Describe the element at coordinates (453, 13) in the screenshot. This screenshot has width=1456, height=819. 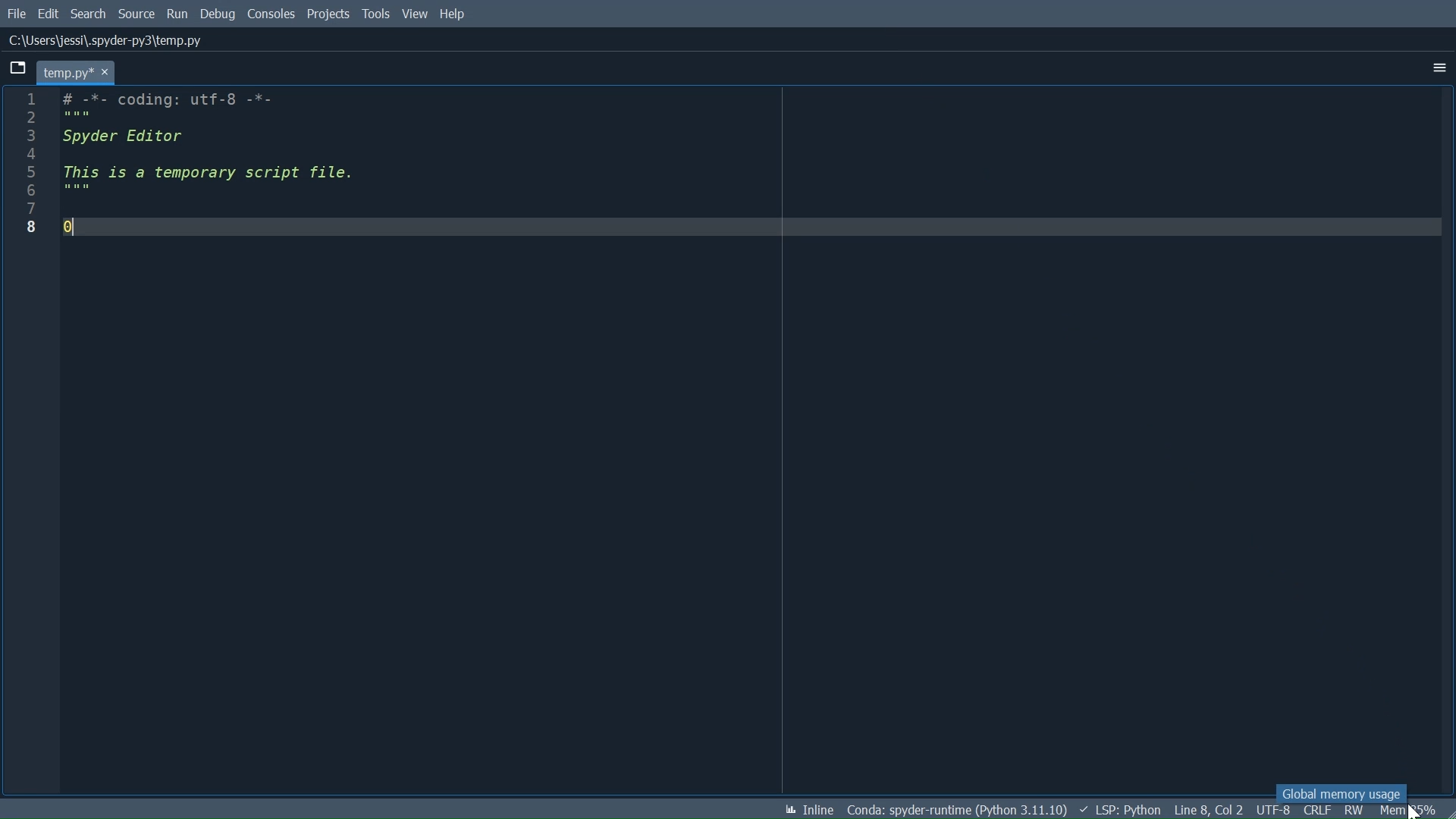
I see `Help` at that location.